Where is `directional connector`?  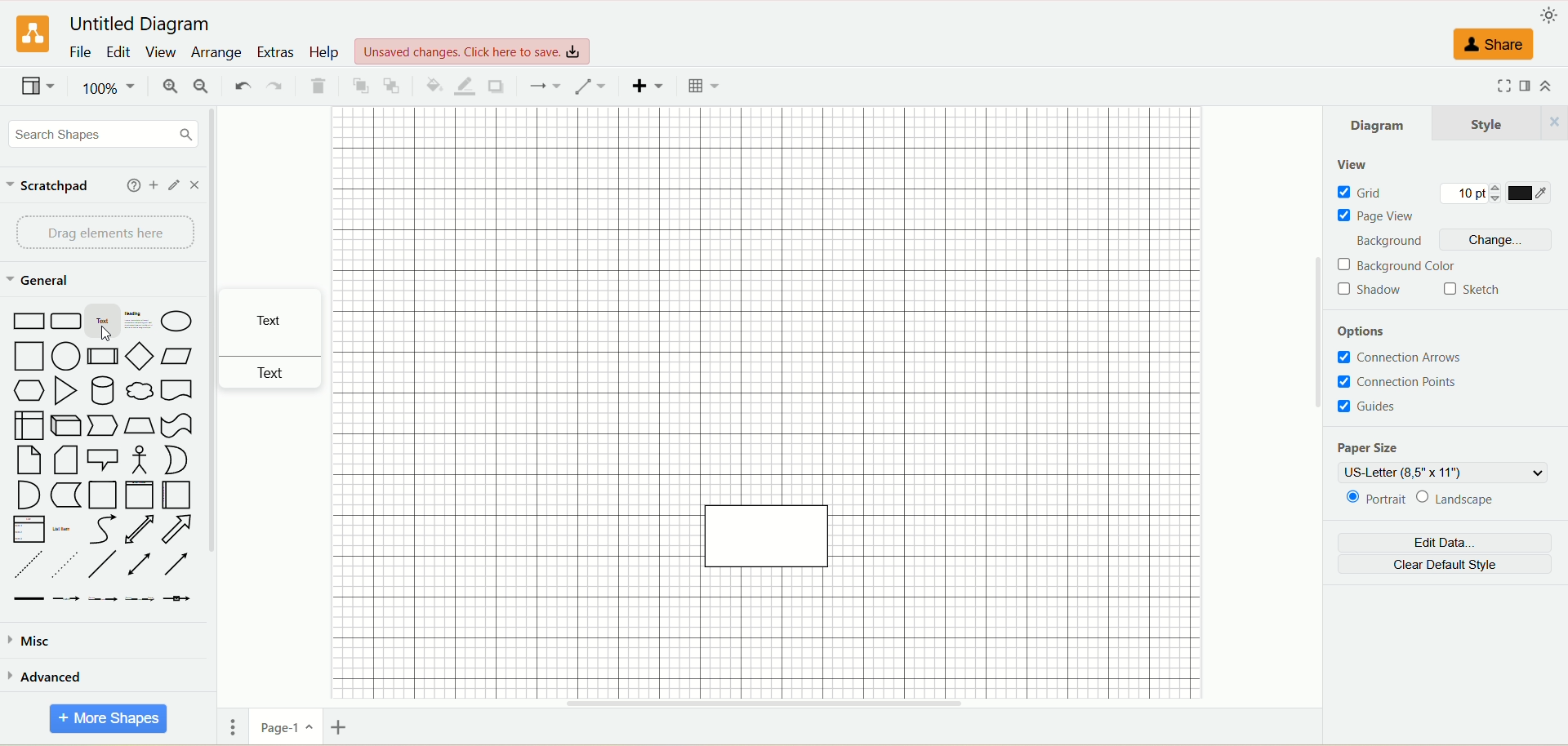 directional connector is located at coordinates (178, 566).